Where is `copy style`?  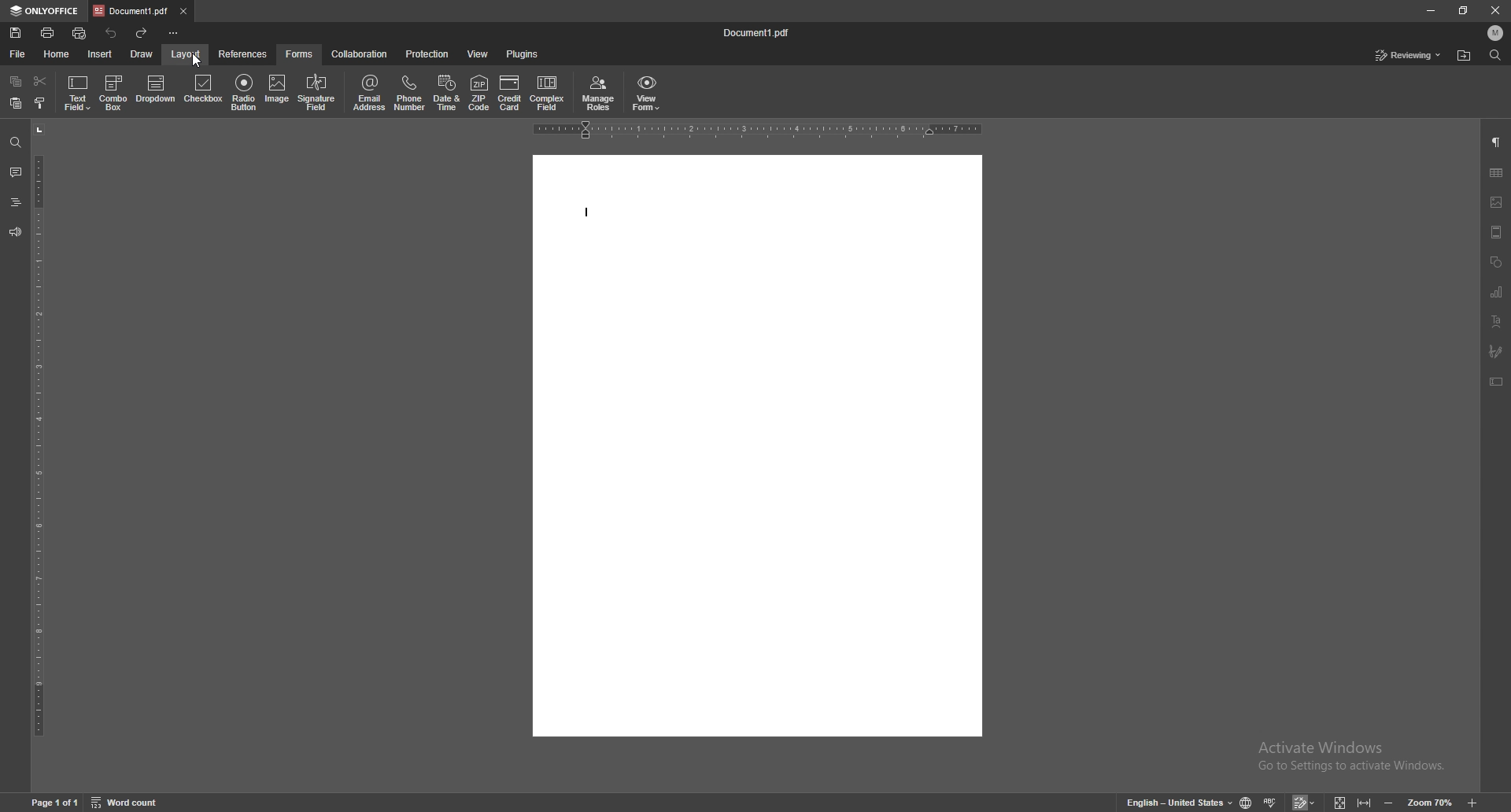
copy style is located at coordinates (40, 101).